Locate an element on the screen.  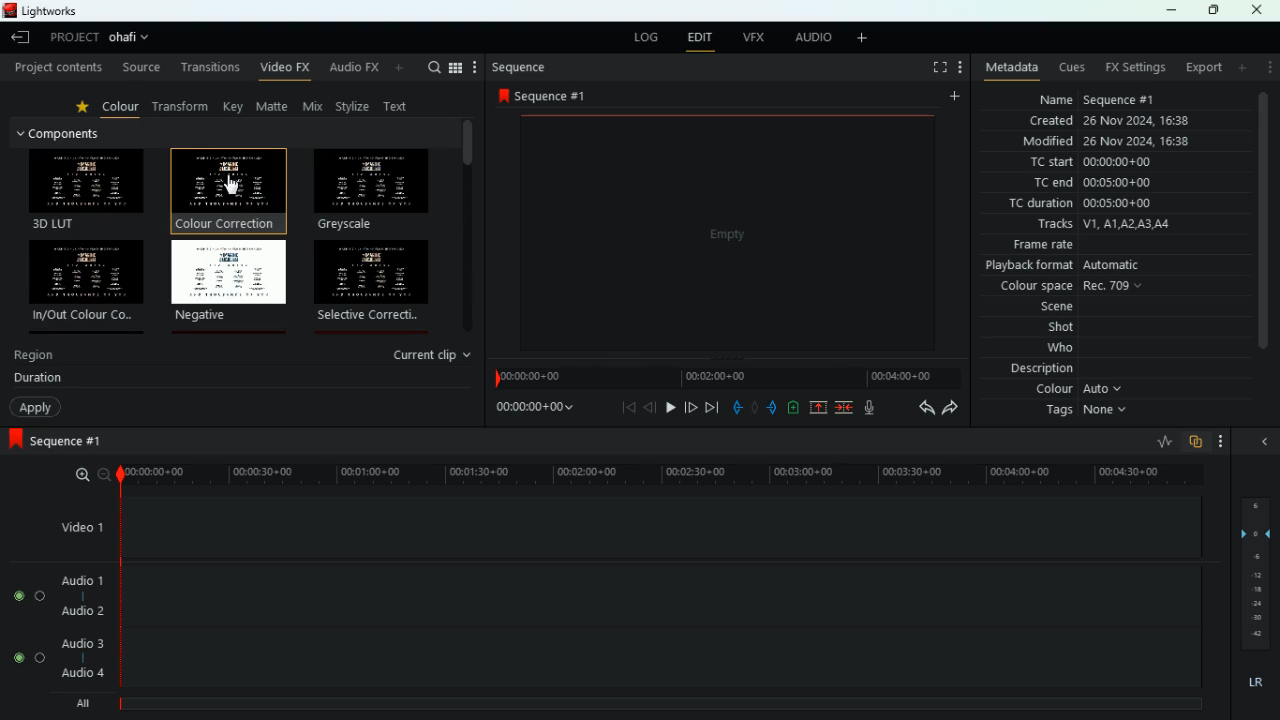
tags is located at coordinates (1090, 415).